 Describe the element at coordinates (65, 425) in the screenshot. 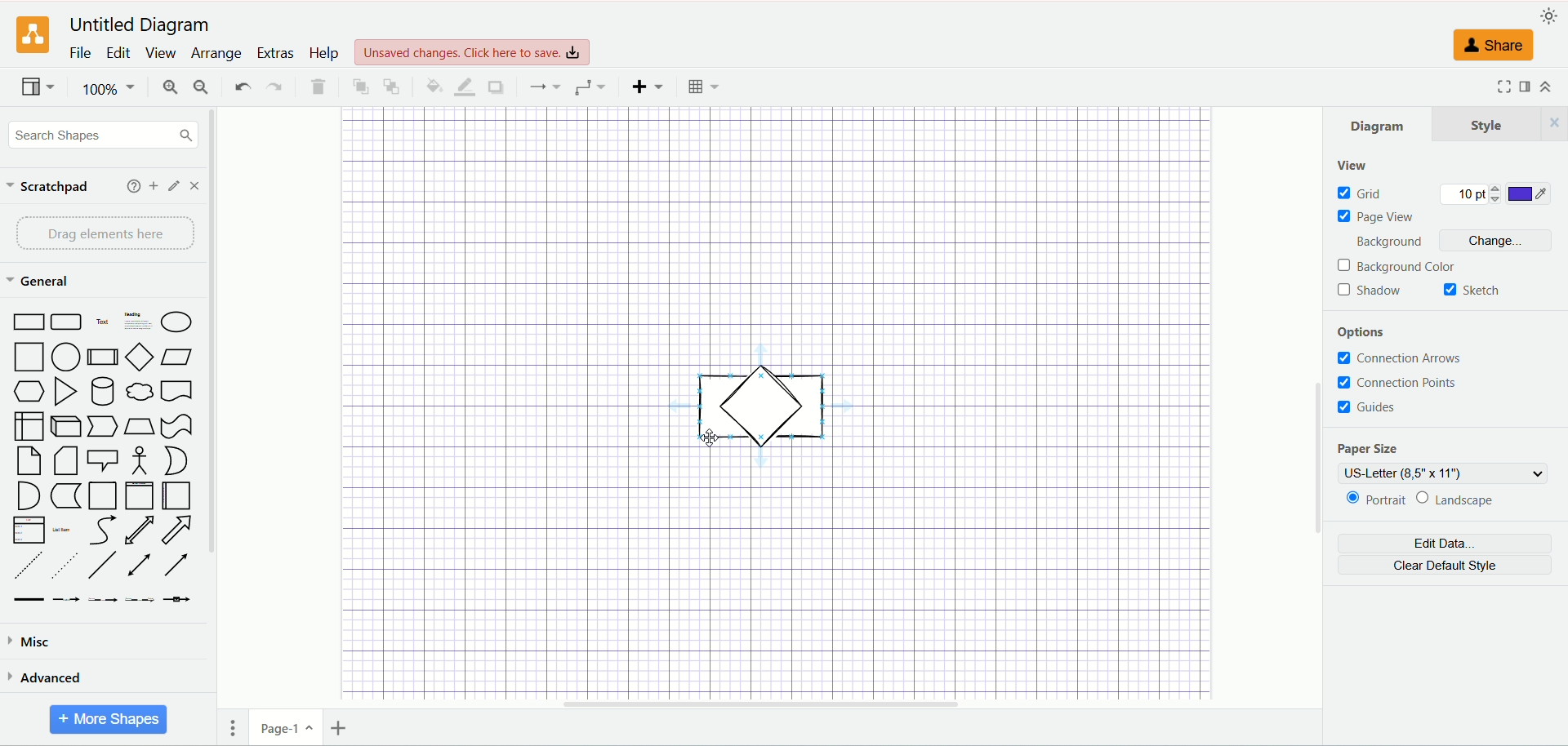

I see `cube` at that location.